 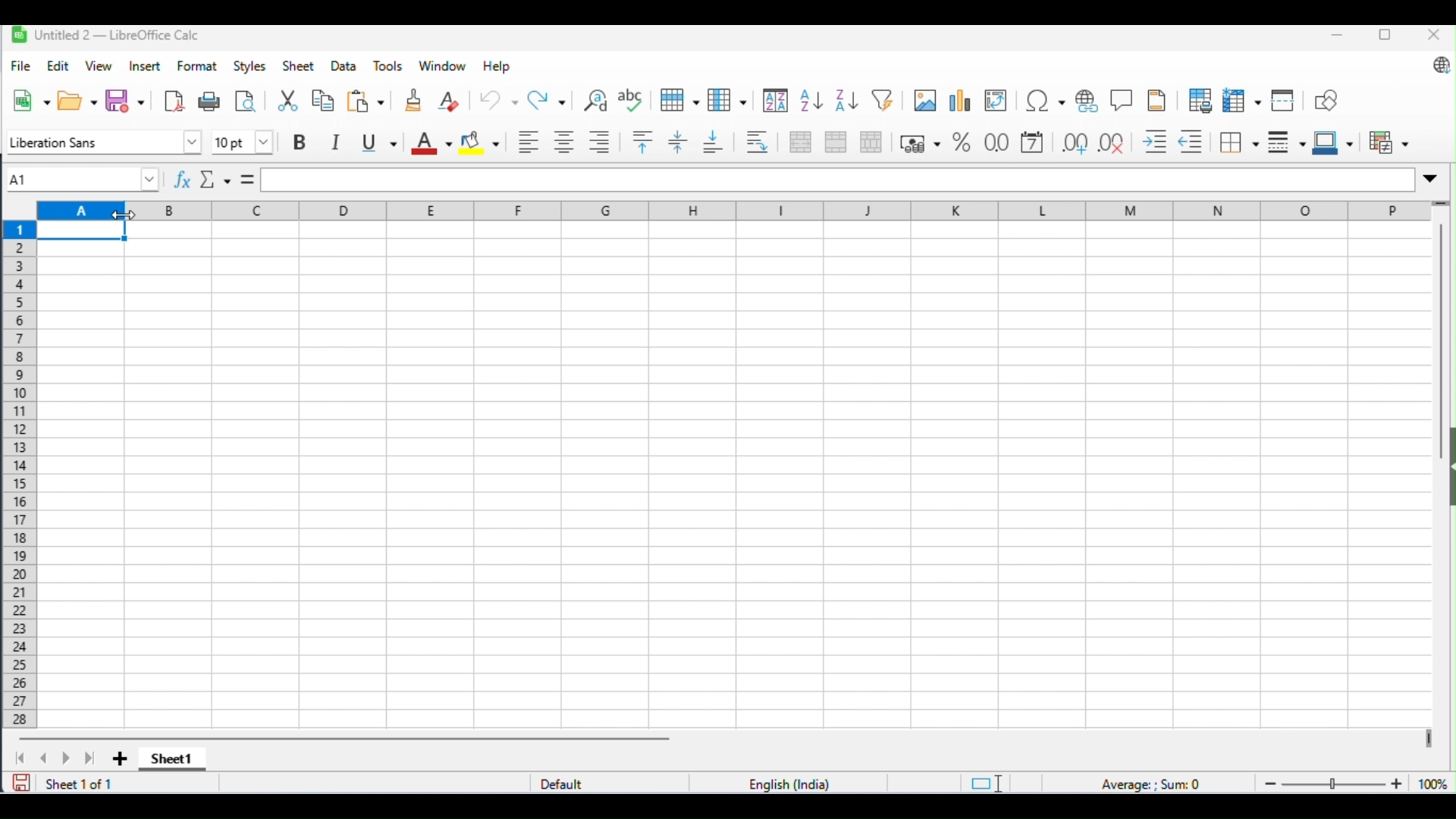 What do you see at coordinates (79, 783) in the screenshot?
I see `sheet 1 of 1` at bounding box center [79, 783].